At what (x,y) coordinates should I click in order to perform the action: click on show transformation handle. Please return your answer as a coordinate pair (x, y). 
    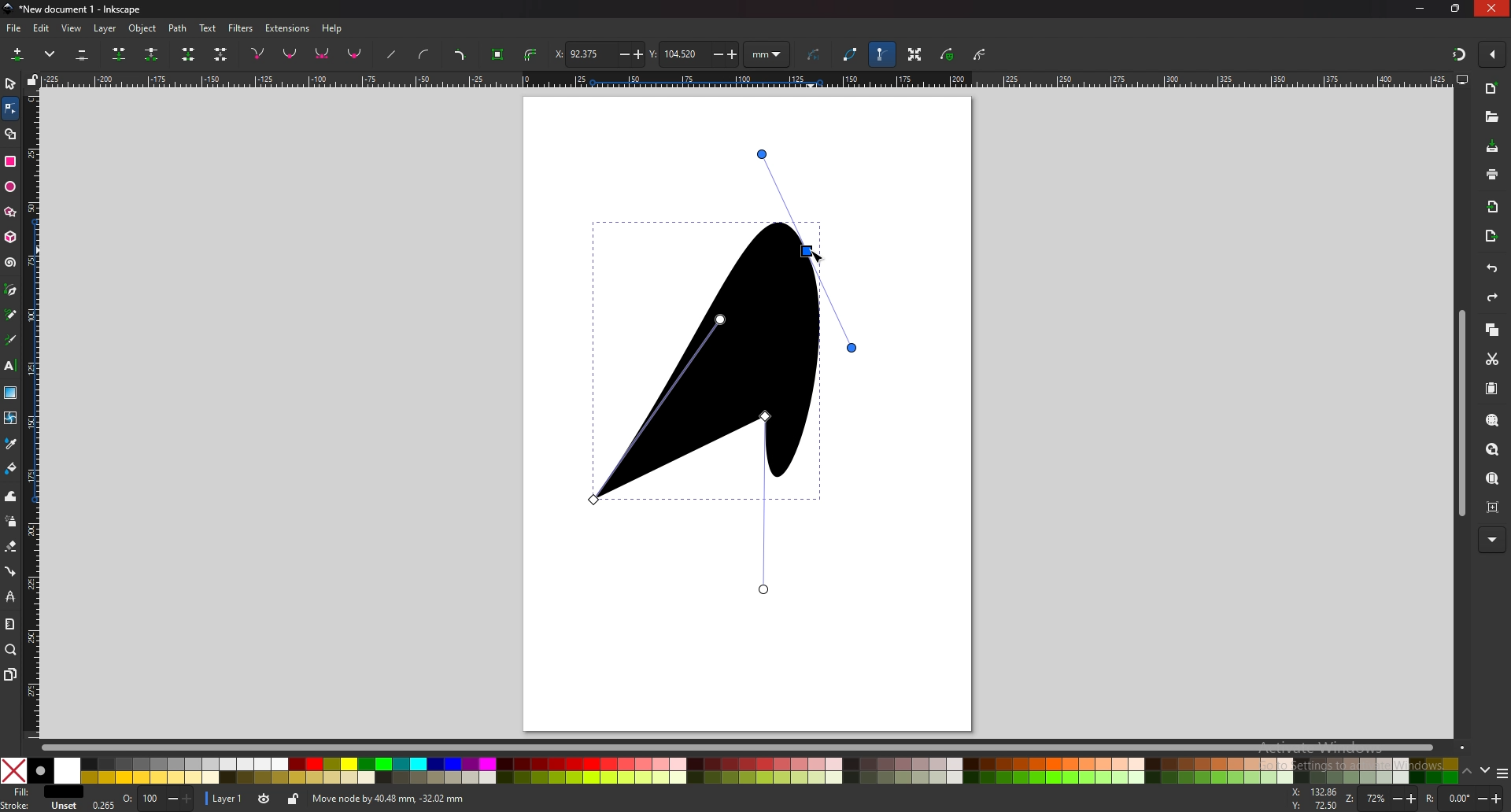
    Looking at the image, I should click on (916, 55).